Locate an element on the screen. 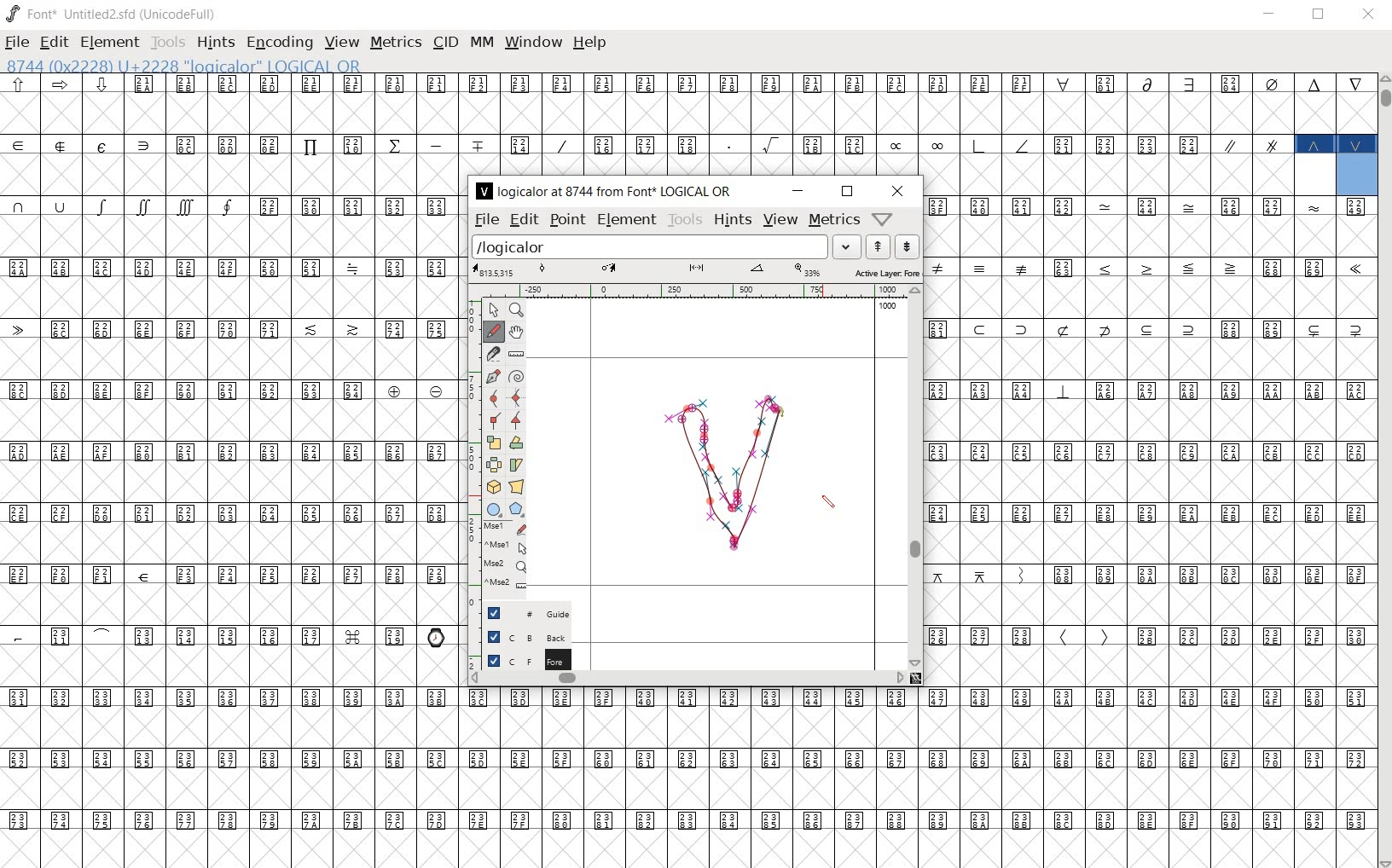  restore is located at coordinates (847, 192).